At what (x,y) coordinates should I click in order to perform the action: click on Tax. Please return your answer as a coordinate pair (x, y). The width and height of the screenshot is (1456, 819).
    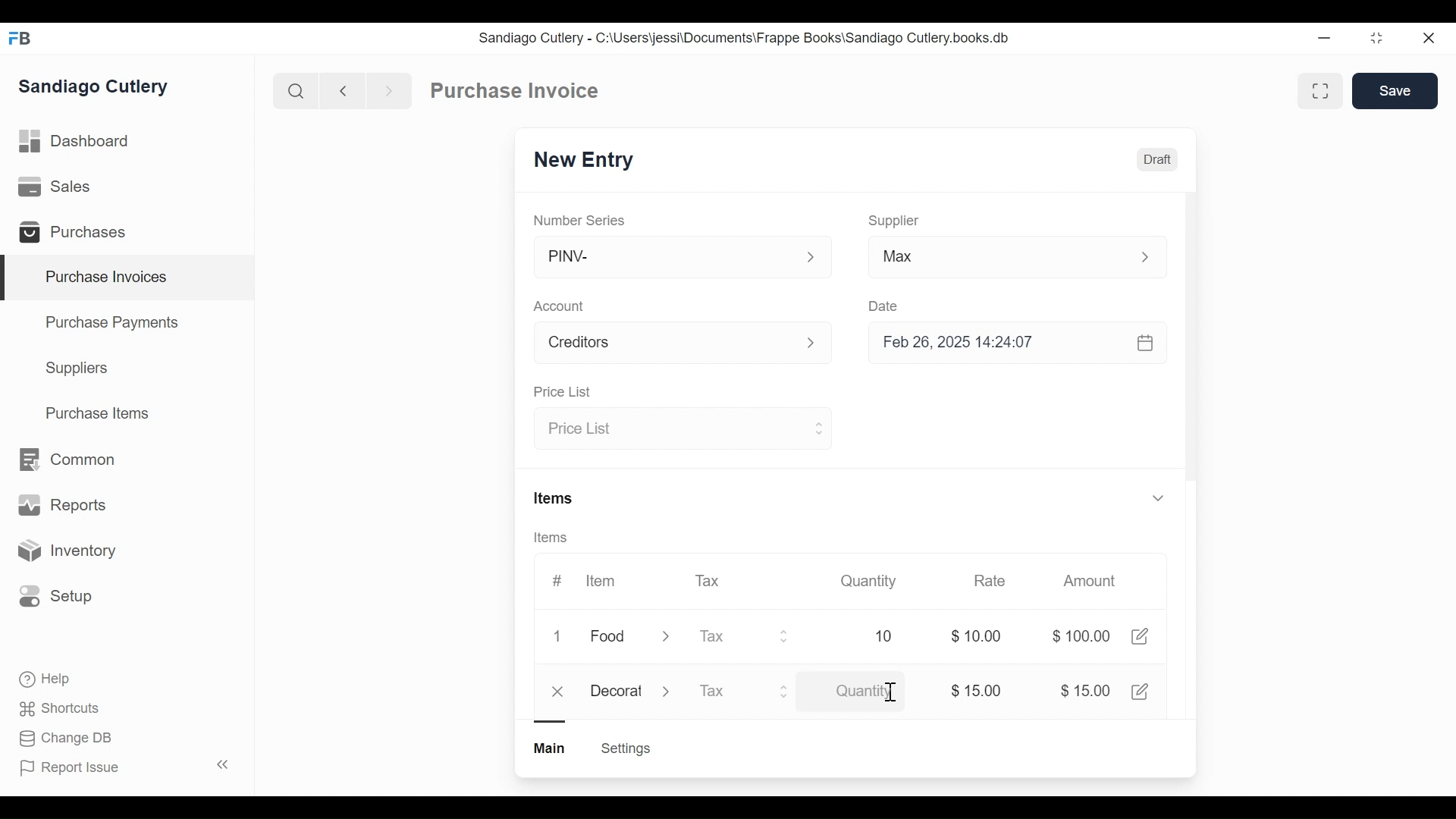
    Looking at the image, I should click on (710, 579).